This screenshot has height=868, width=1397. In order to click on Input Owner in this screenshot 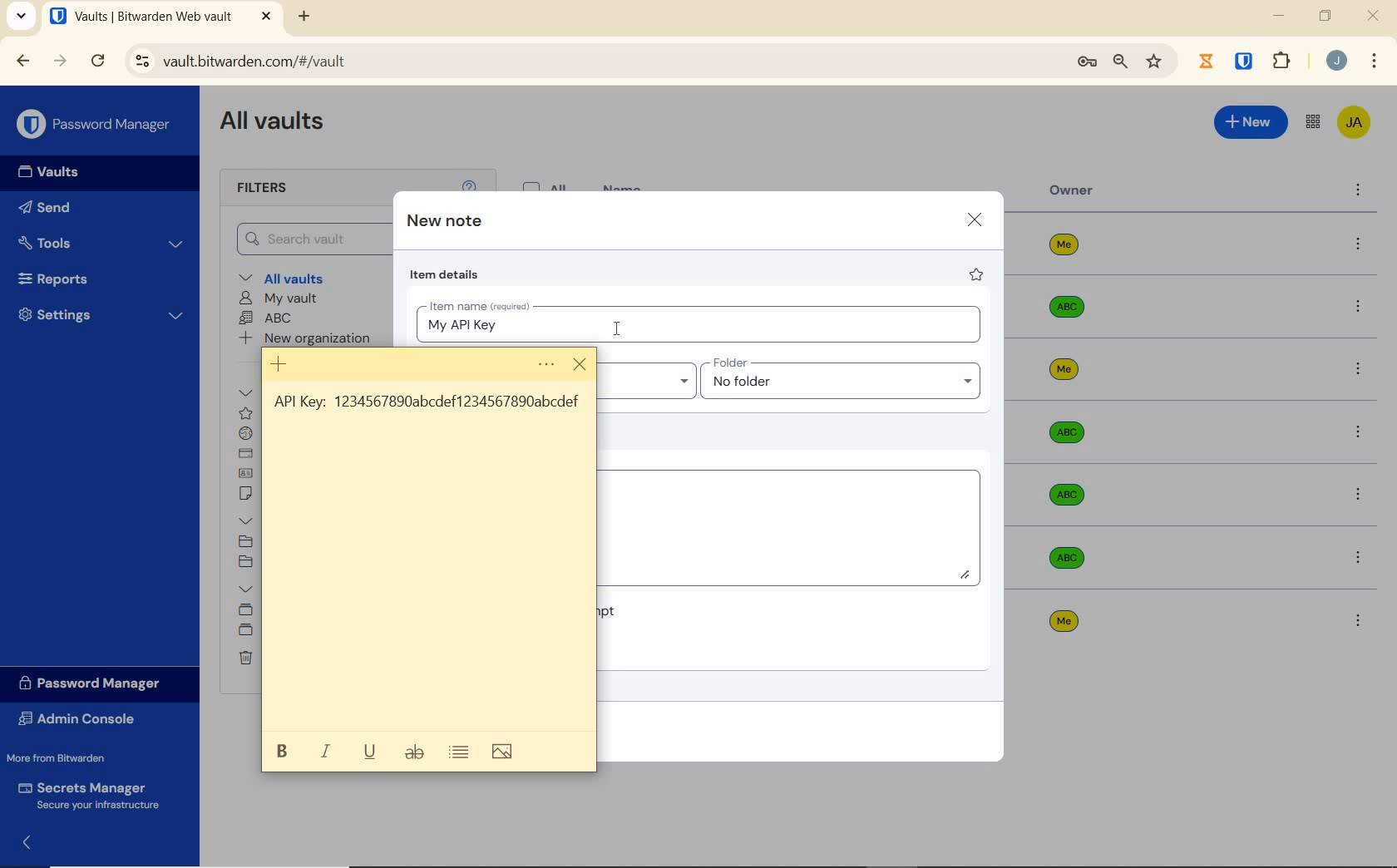, I will do `click(647, 377)`.